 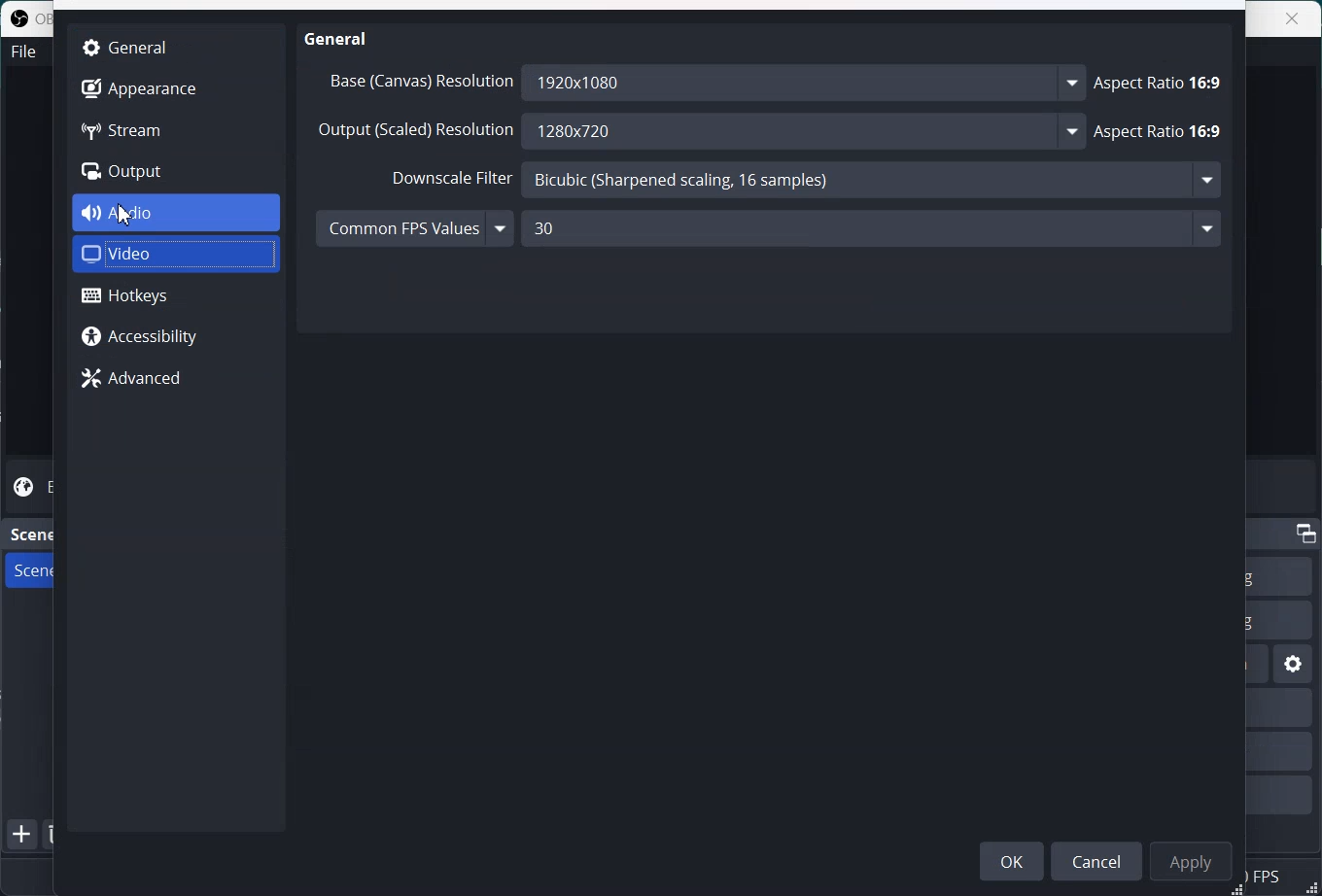 What do you see at coordinates (177, 213) in the screenshot?
I see `Audio` at bounding box center [177, 213].